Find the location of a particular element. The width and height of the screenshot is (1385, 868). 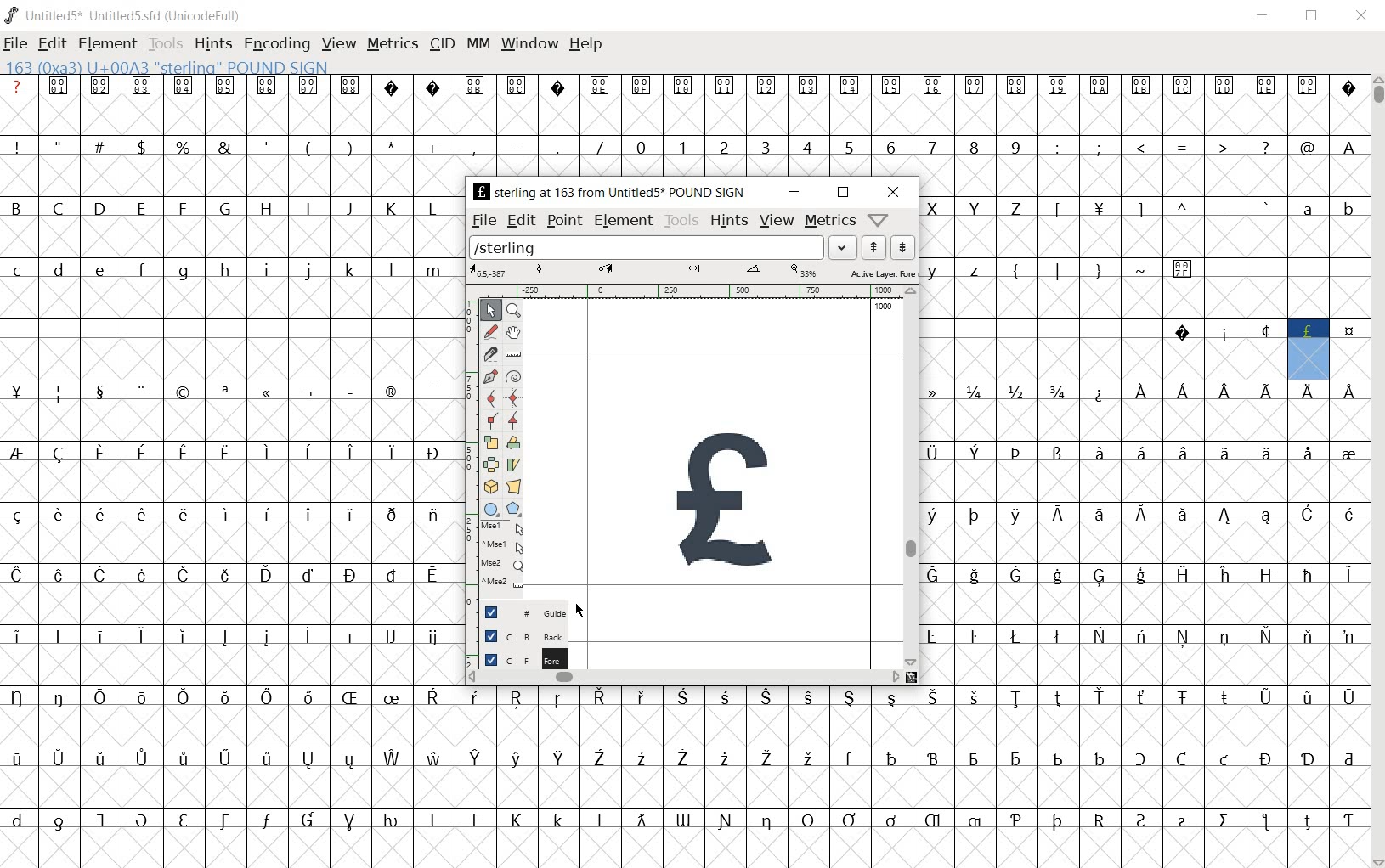

' is located at coordinates (268, 148).